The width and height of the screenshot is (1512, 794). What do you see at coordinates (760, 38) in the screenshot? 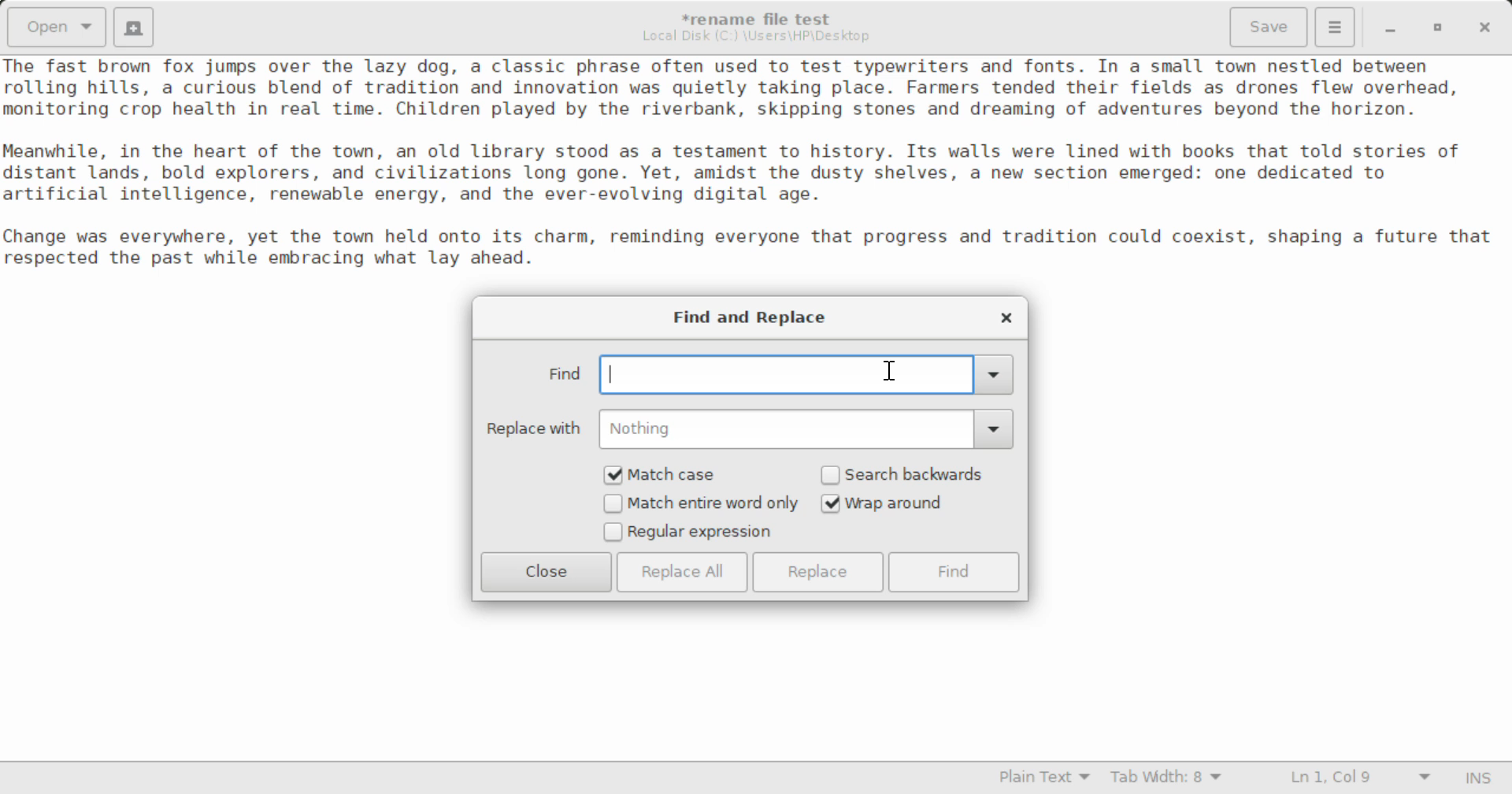
I see `File Location` at bounding box center [760, 38].